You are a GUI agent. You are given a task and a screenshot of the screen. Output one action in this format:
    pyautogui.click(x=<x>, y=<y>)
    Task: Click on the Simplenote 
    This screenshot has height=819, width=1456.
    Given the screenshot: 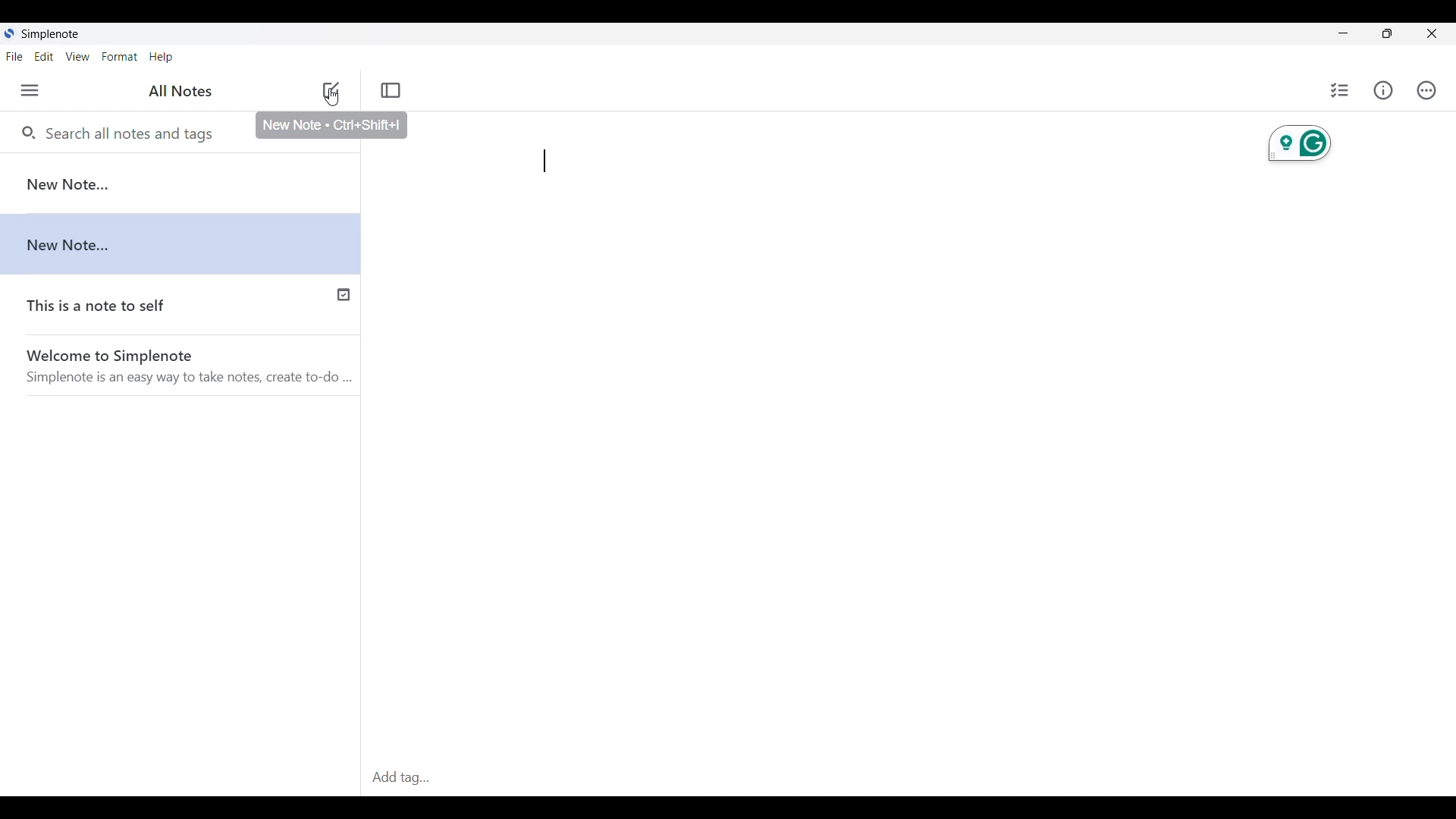 What is the action you would take?
    pyautogui.click(x=55, y=33)
    